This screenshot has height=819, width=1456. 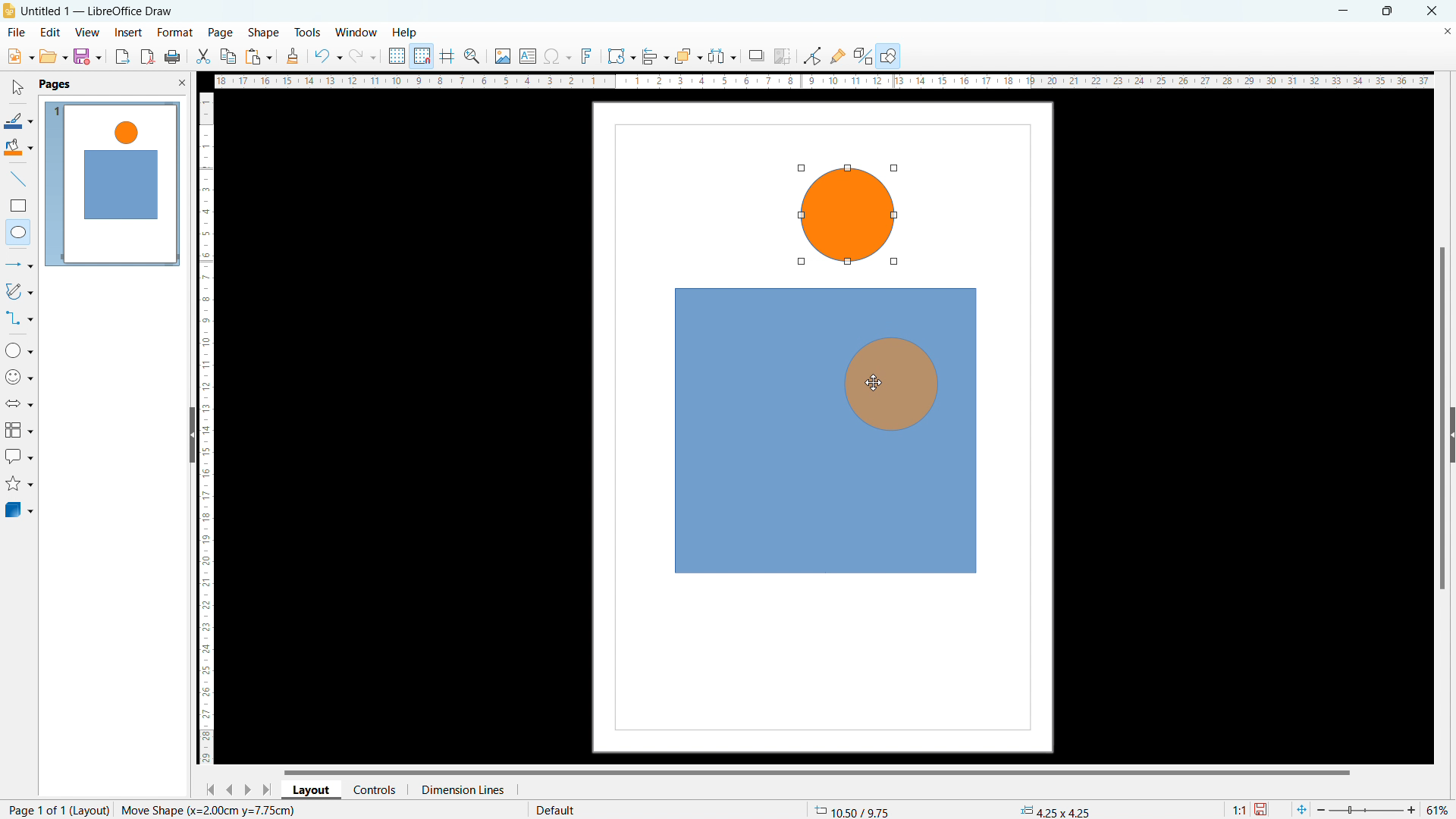 What do you see at coordinates (18, 231) in the screenshot?
I see `elipse` at bounding box center [18, 231].